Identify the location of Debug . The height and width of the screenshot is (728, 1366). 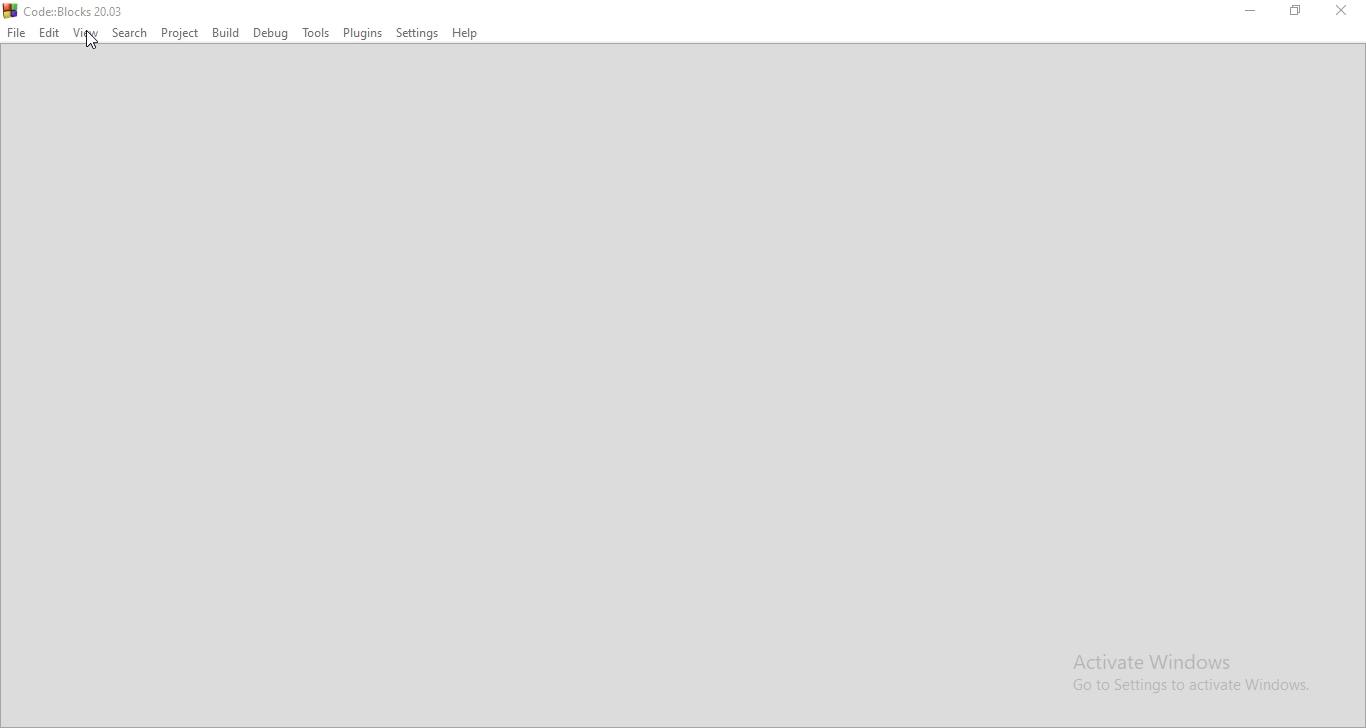
(271, 32).